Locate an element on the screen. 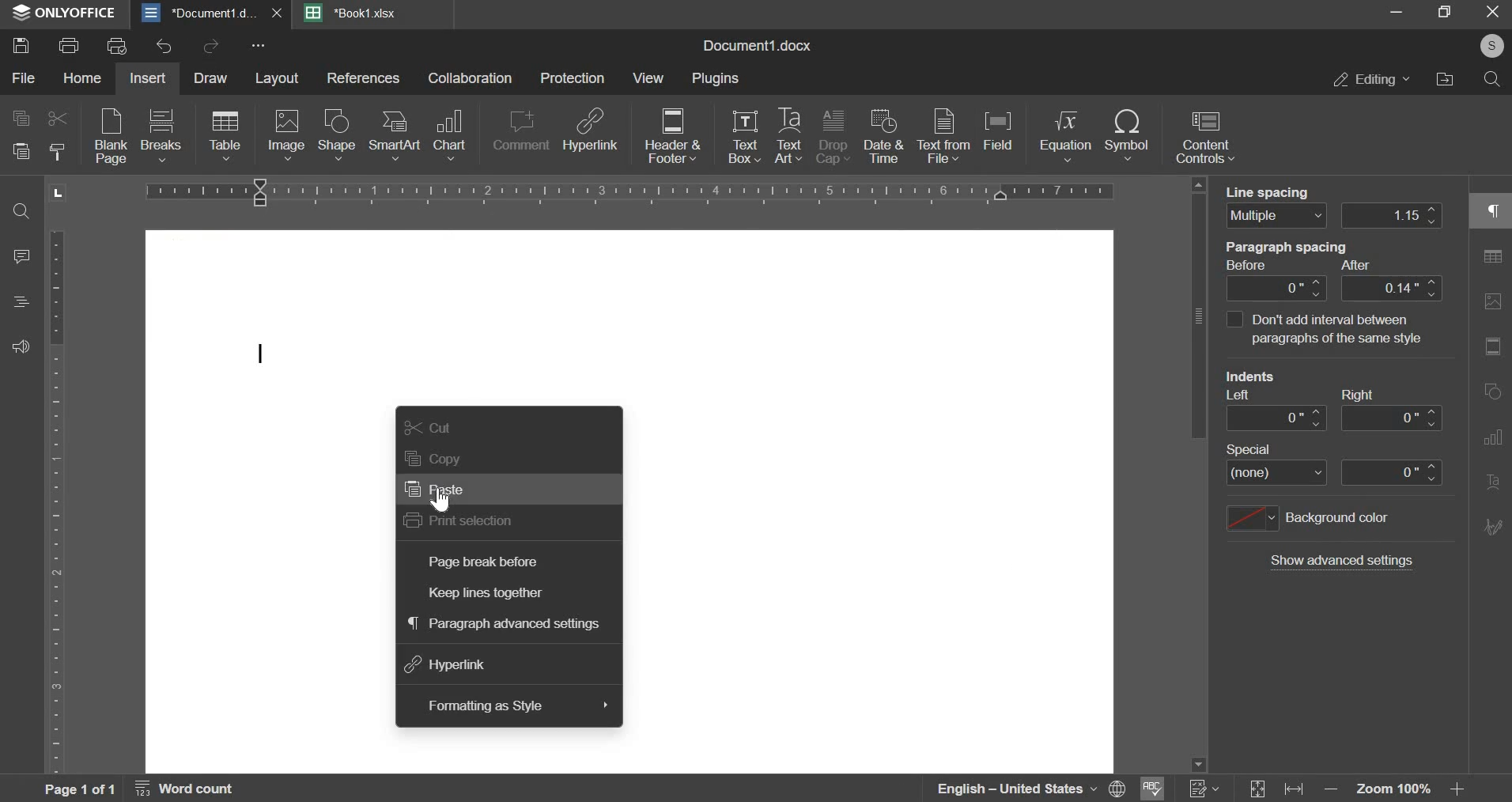  paragraph advanced settings is located at coordinates (505, 622).